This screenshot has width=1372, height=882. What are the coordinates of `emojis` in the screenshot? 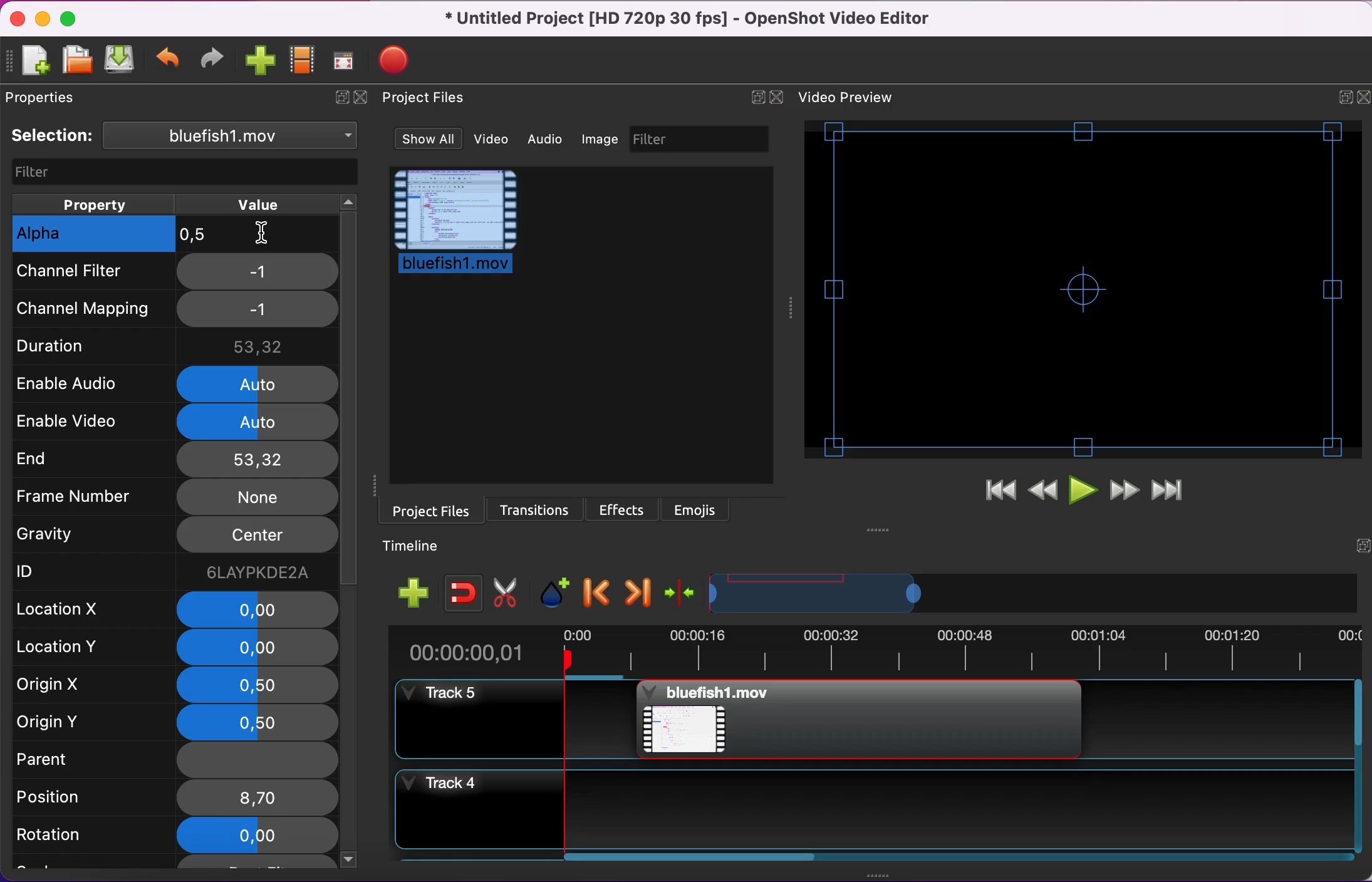 It's located at (697, 508).